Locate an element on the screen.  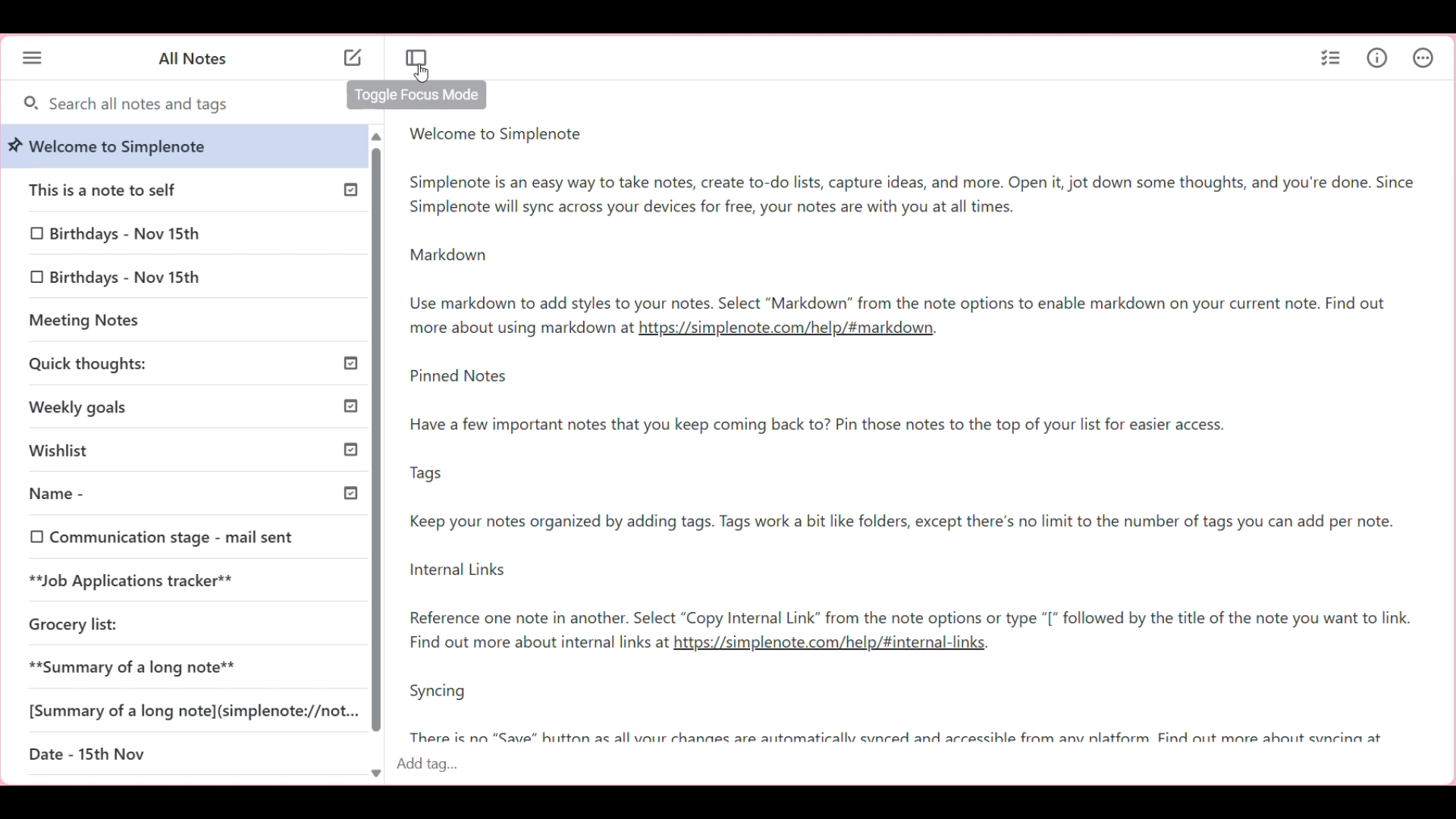
This is a note to self is located at coordinates (165, 191).